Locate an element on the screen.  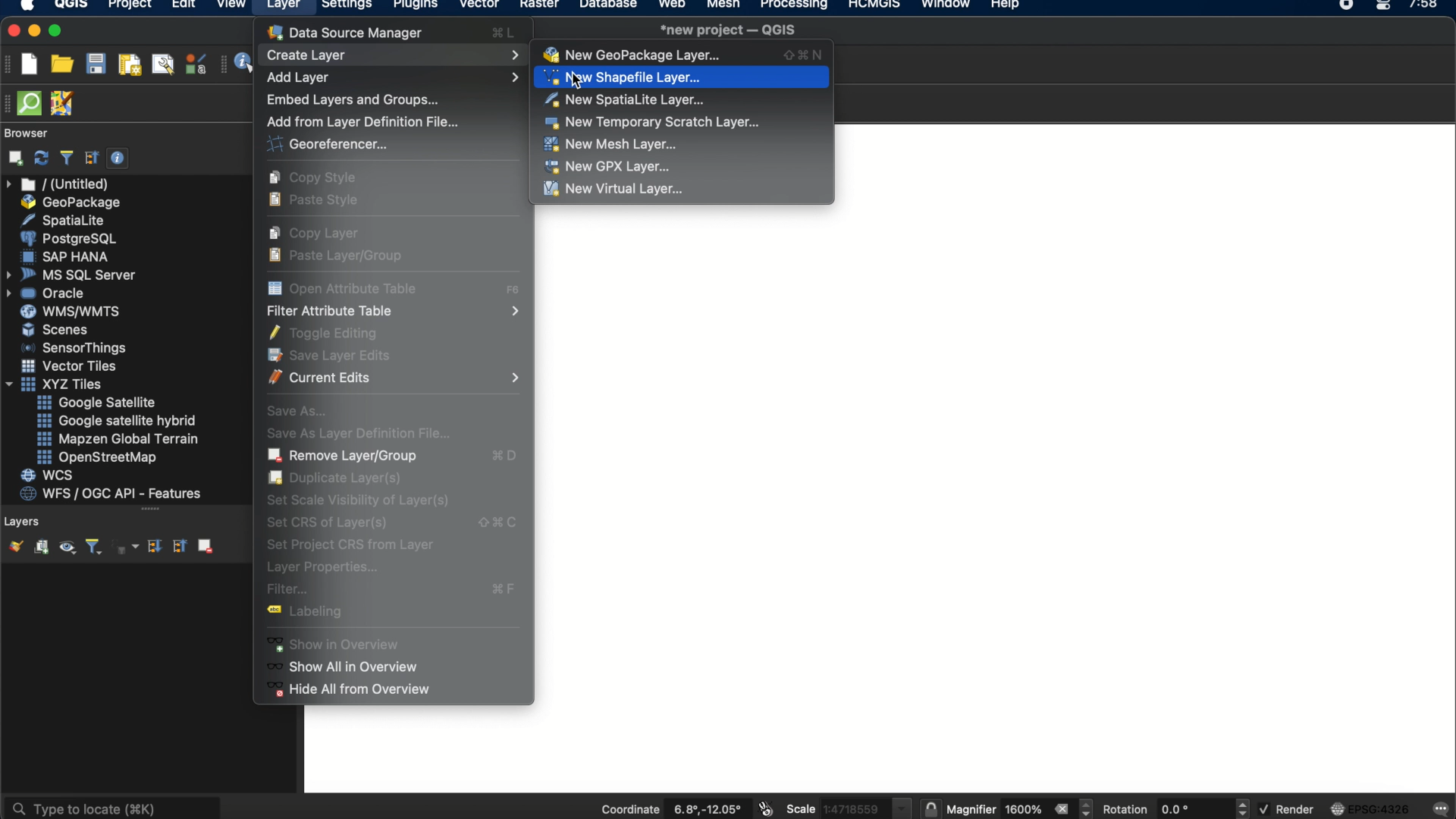
type to locate is located at coordinates (111, 807).